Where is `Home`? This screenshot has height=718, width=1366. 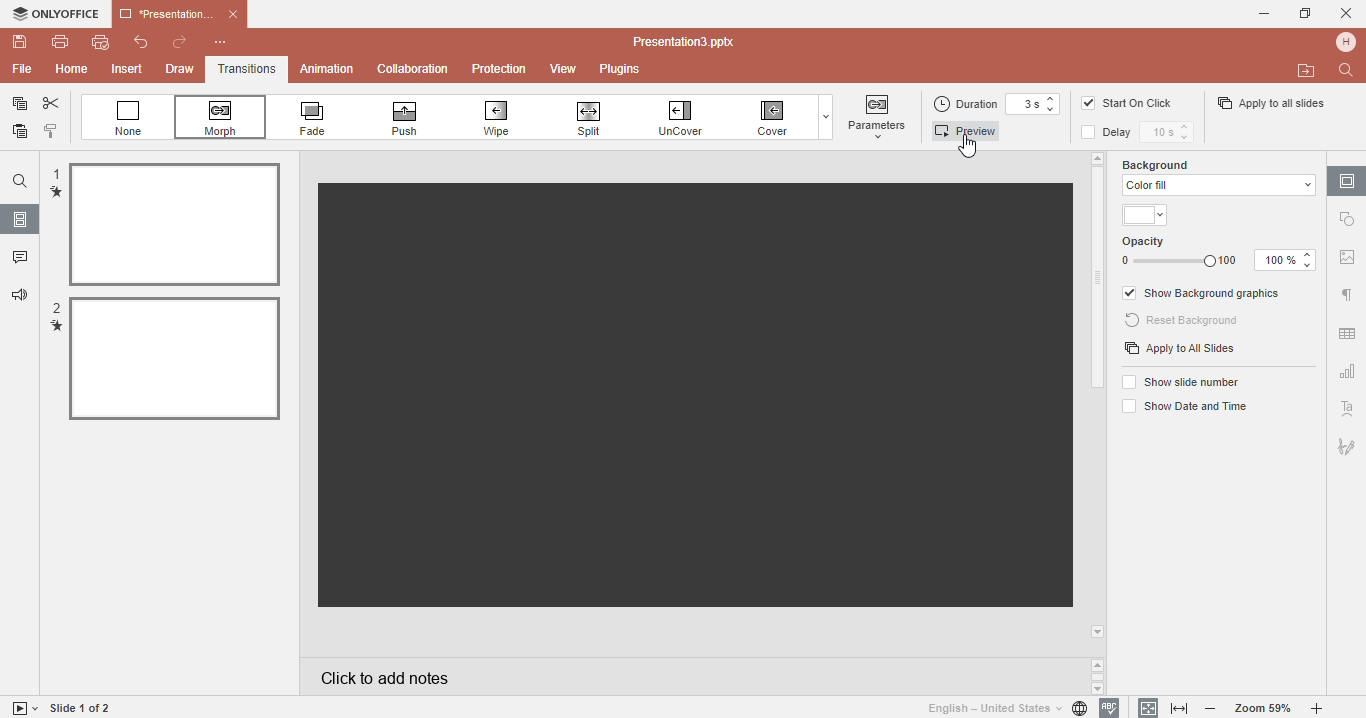
Home is located at coordinates (71, 69).